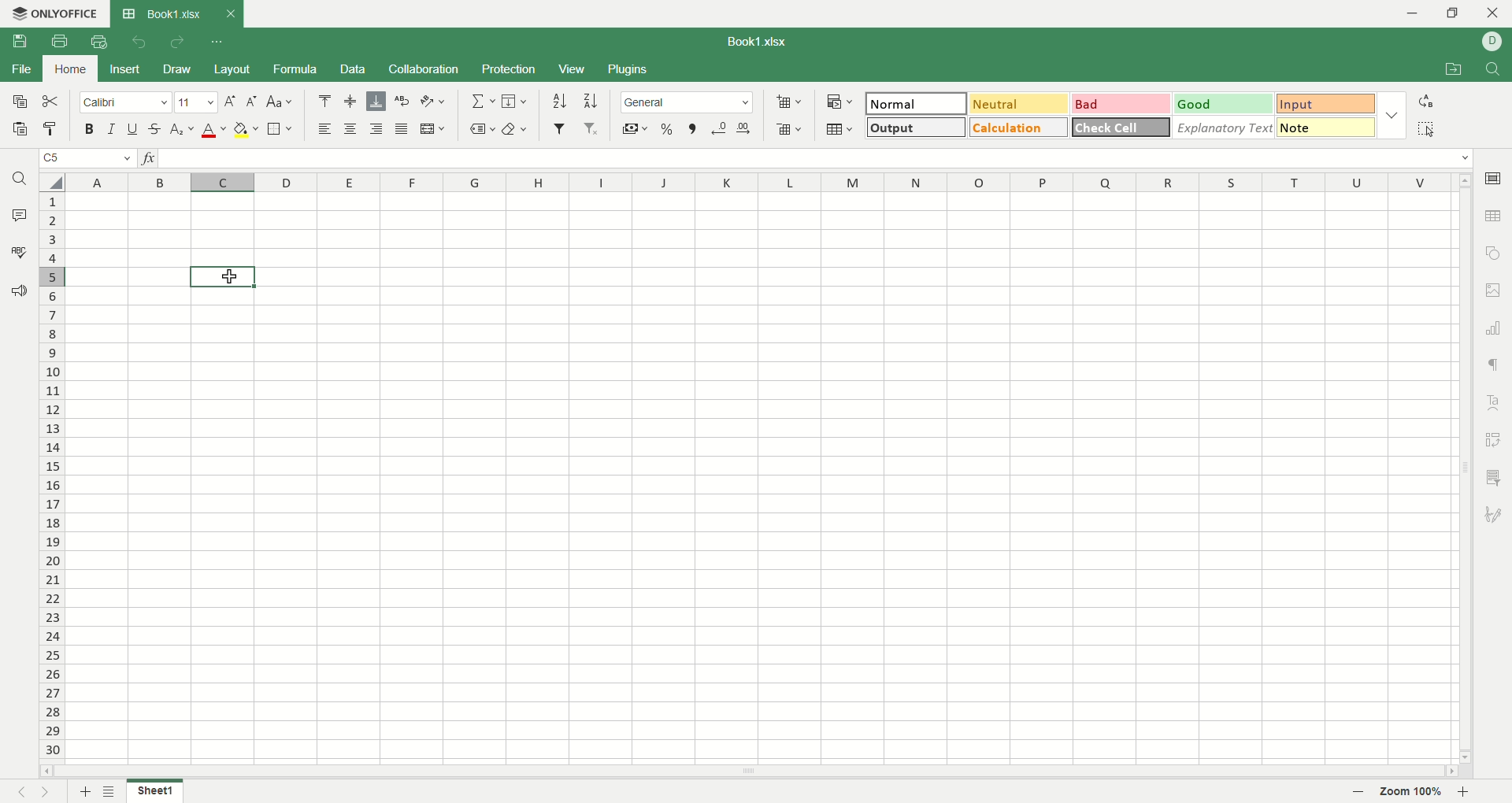 The image size is (1512, 803). I want to click on insert function, so click(152, 160).